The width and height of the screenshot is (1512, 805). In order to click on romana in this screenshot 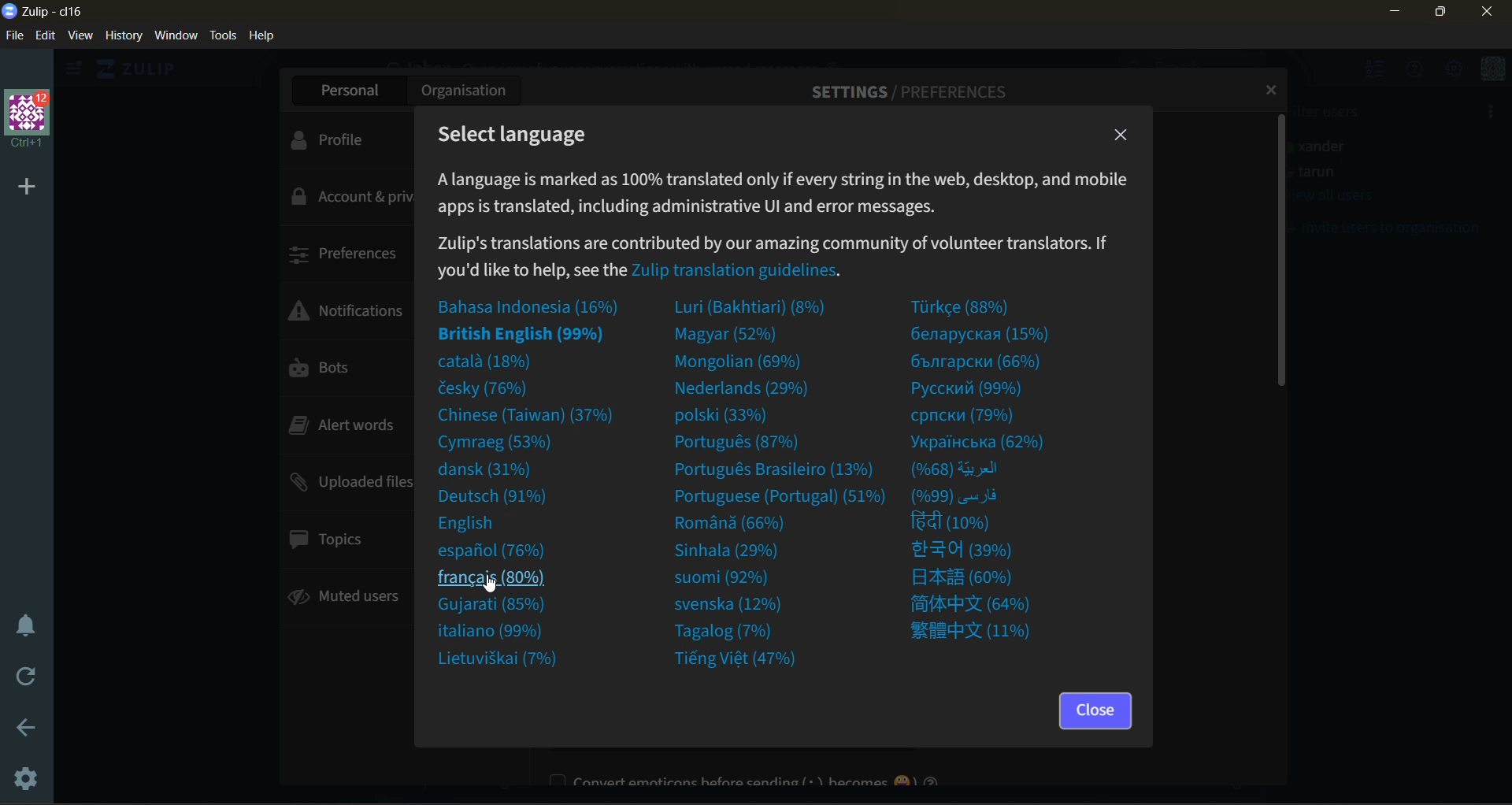, I will do `click(736, 522)`.